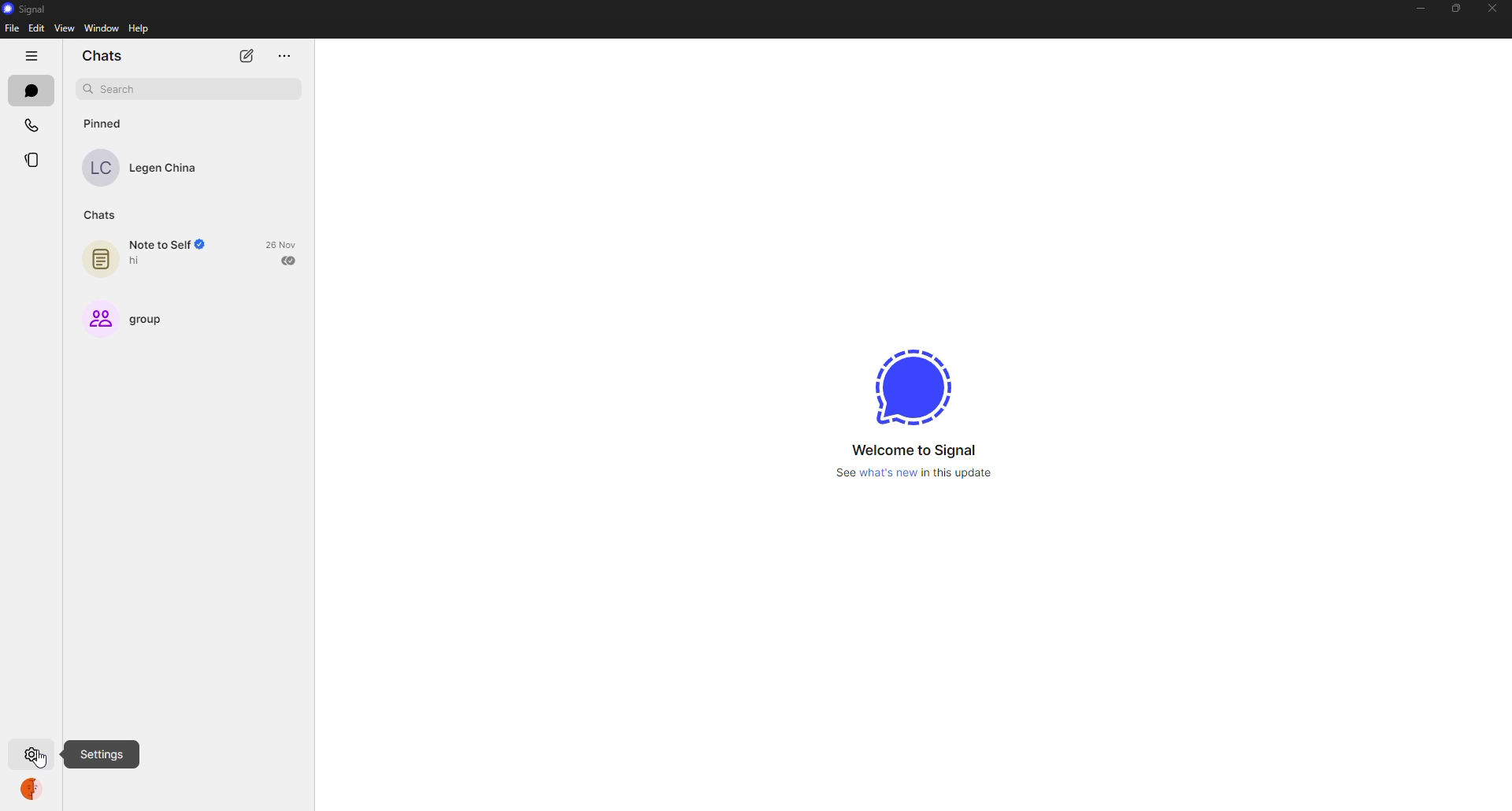  I want to click on maximize, so click(1452, 9).